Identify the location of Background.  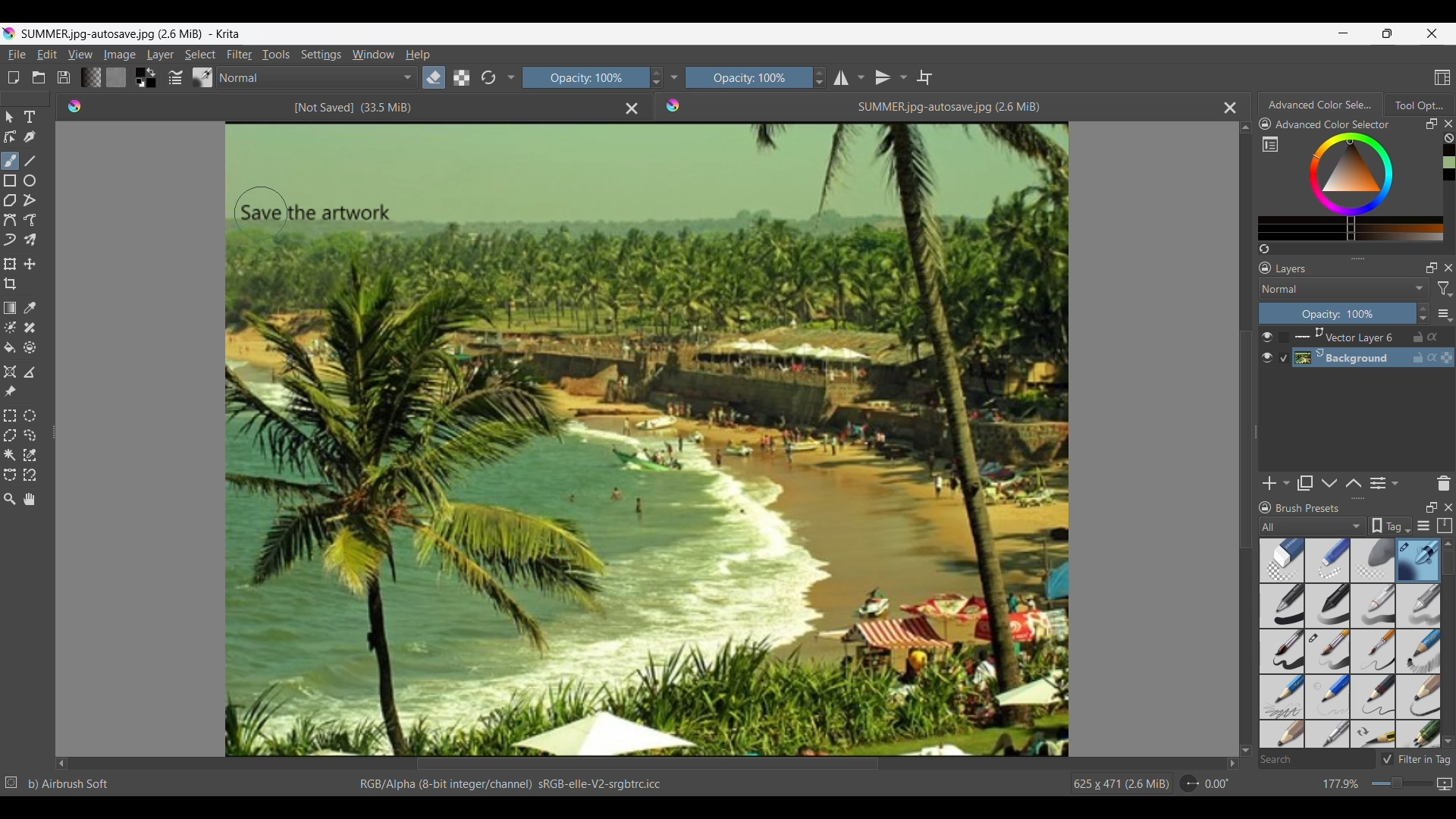
(1376, 358).